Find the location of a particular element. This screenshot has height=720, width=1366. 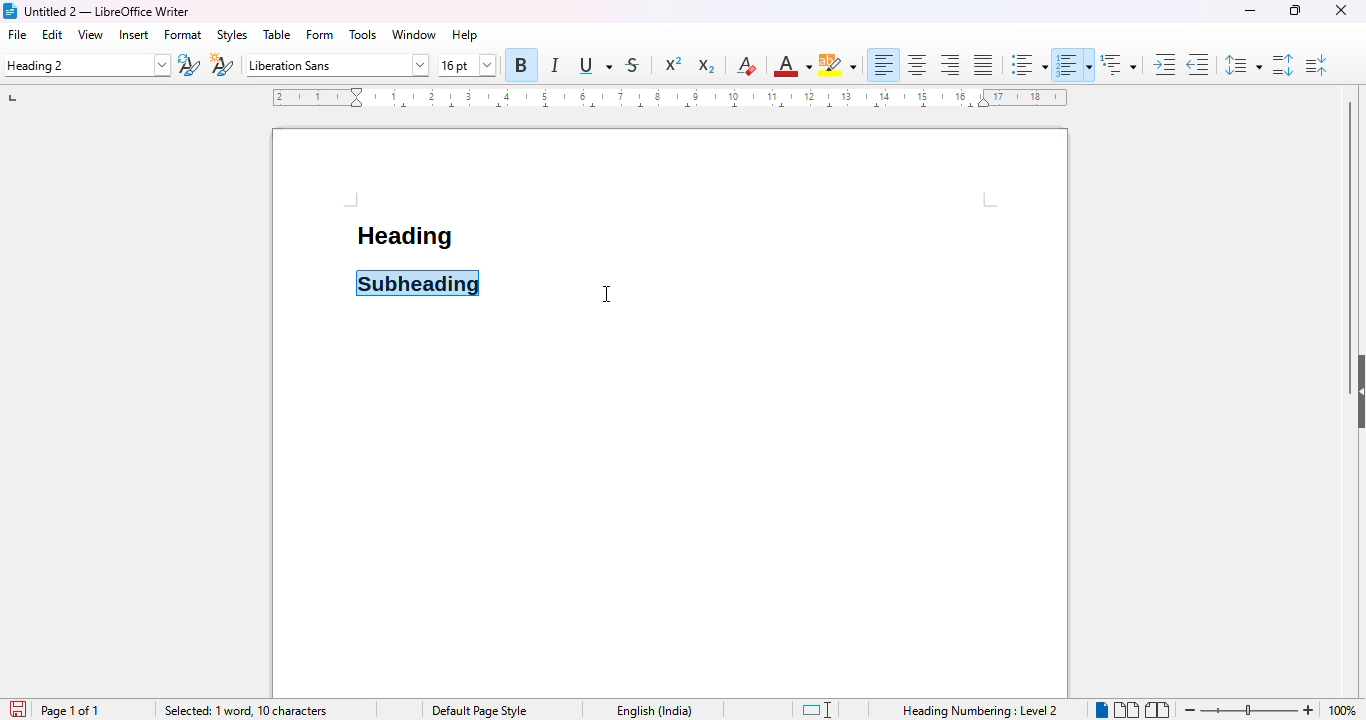

single page view is located at coordinates (1100, 709).